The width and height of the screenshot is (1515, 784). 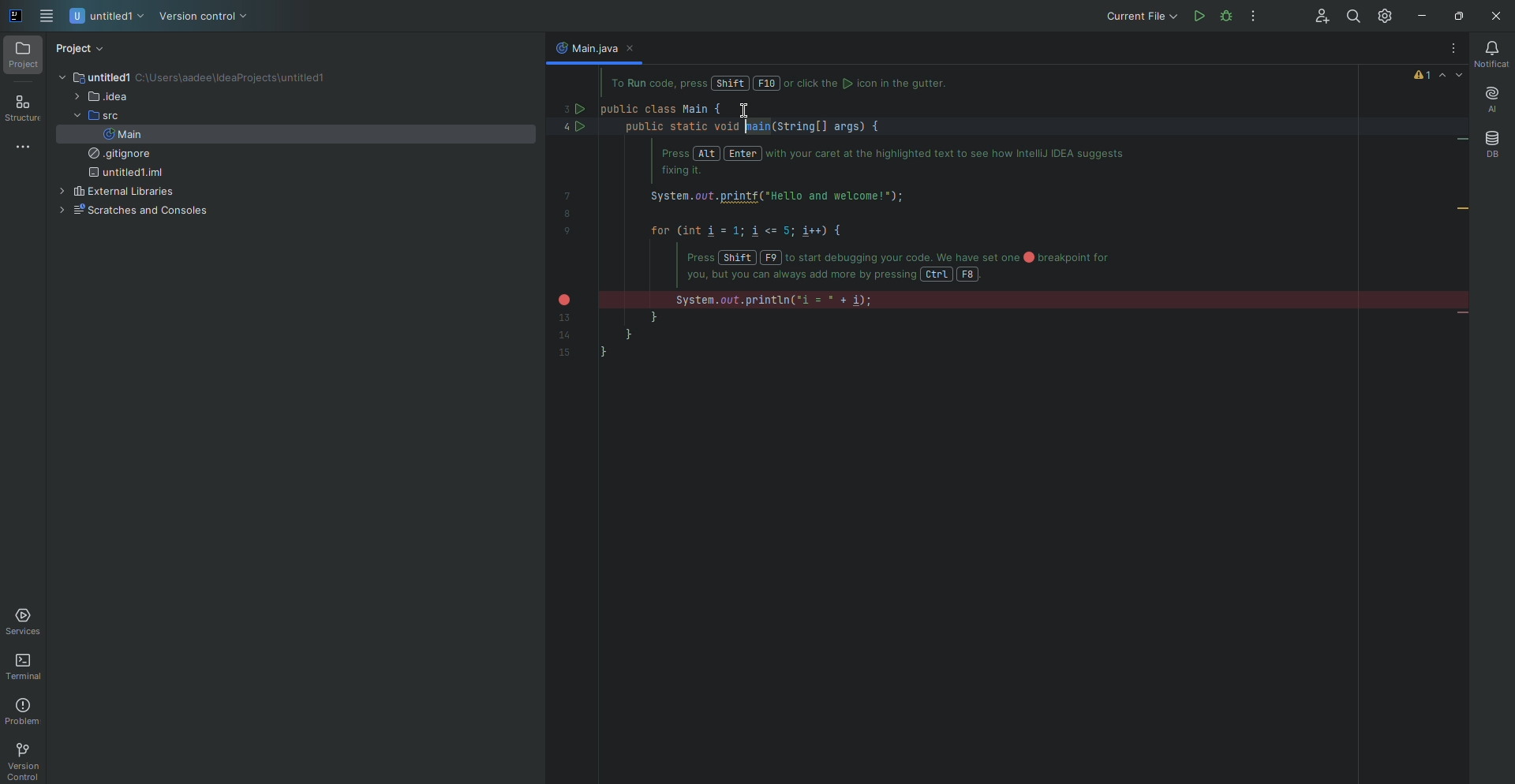 I want to click on More Tools, so click(x=26, y=146).